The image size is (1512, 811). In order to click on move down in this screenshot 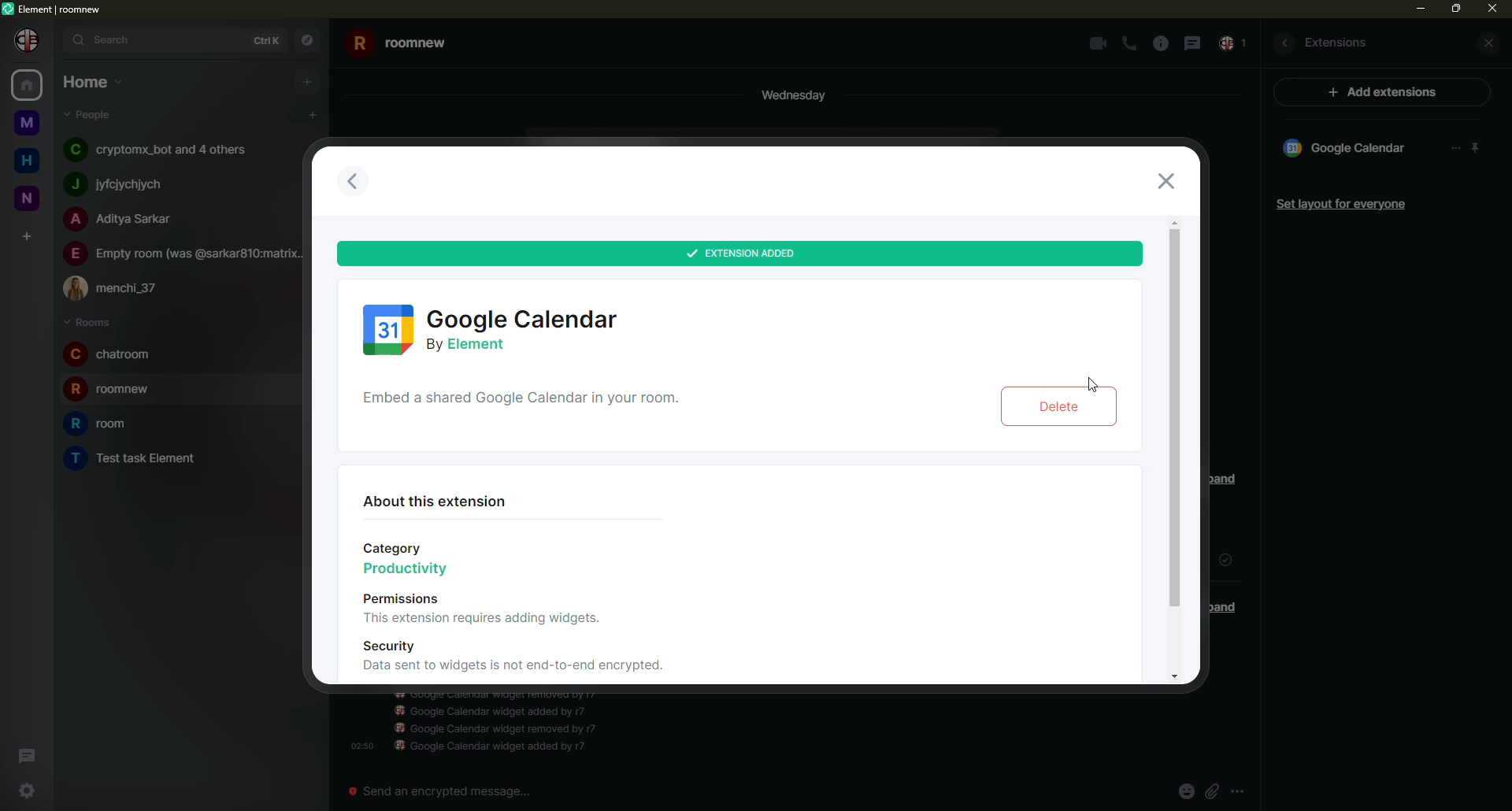, I will do `click(1173, 674)`.